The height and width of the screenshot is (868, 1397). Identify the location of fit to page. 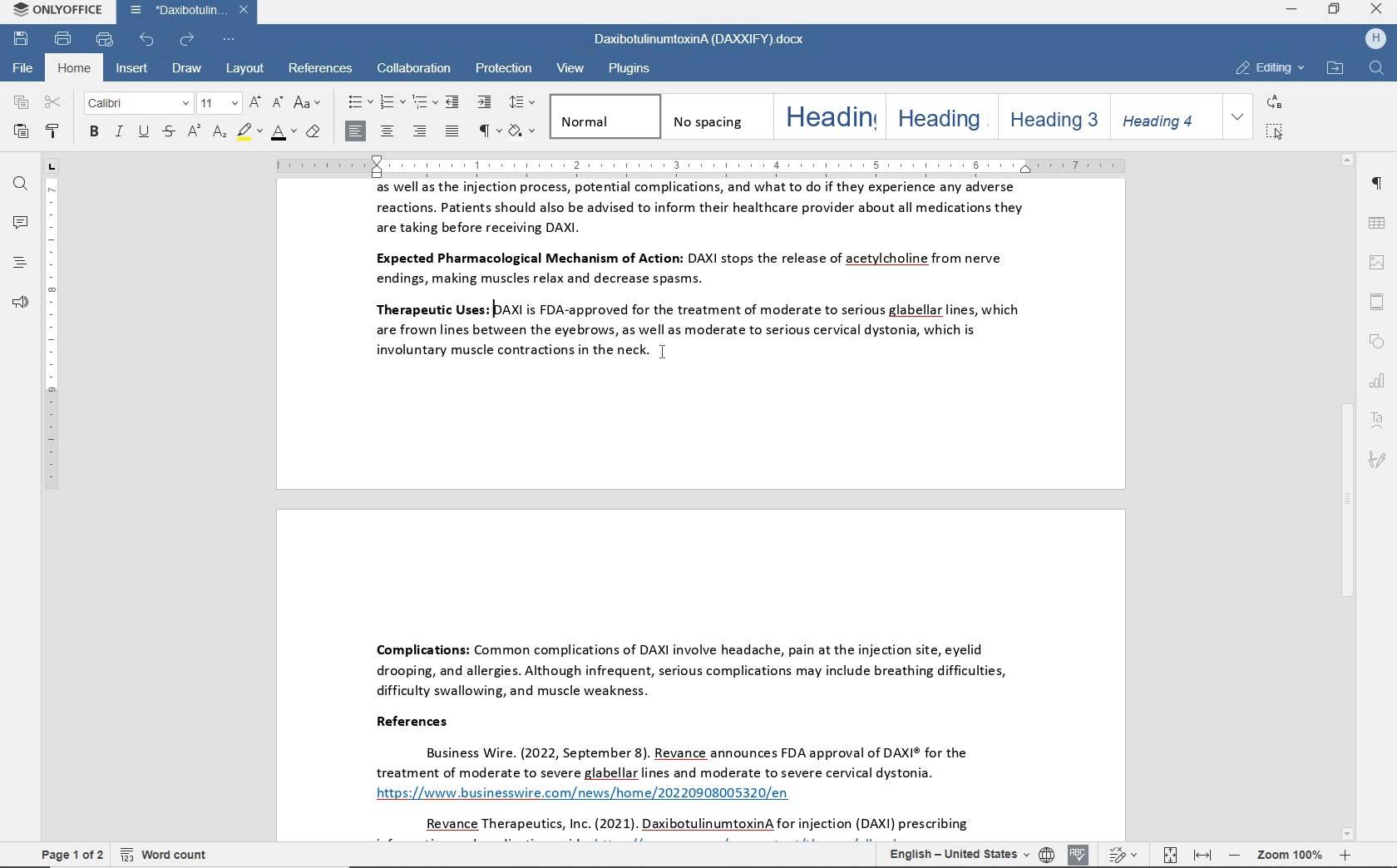
(1167, 855).